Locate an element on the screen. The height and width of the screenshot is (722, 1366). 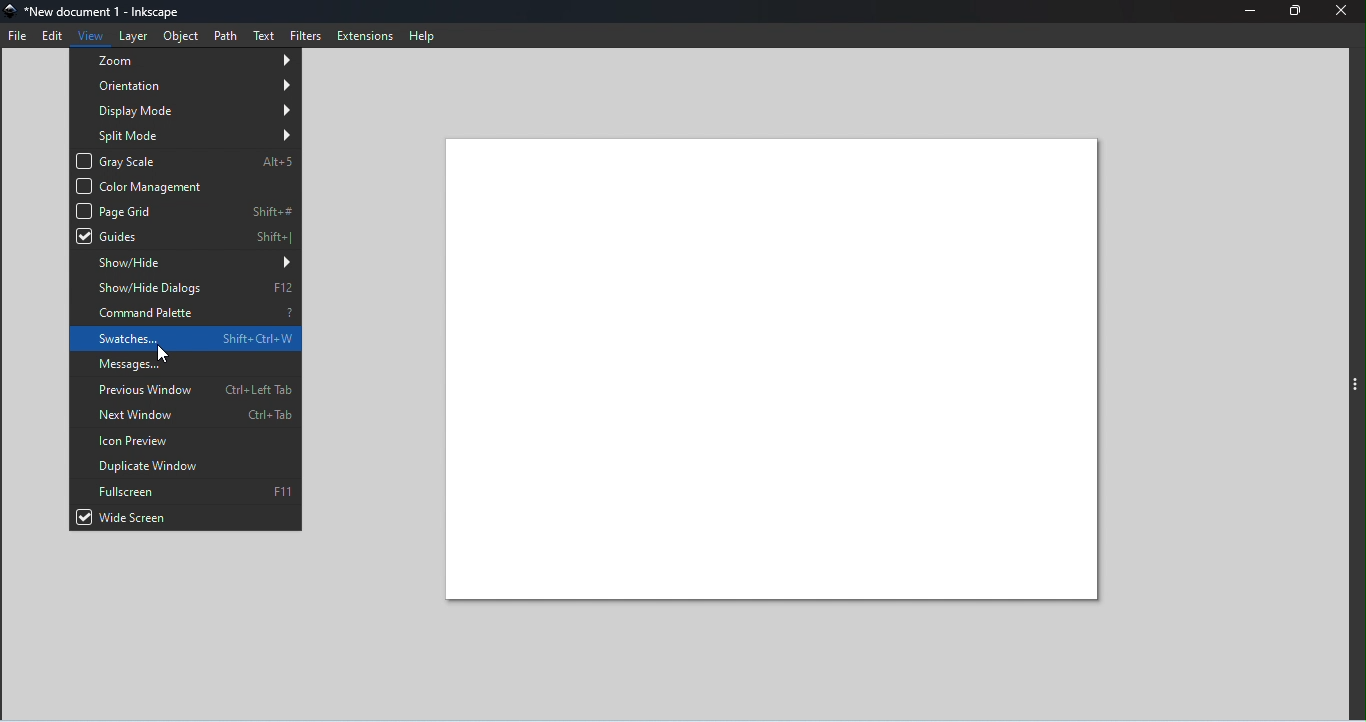
Messages is located at coordinates (184, 363).